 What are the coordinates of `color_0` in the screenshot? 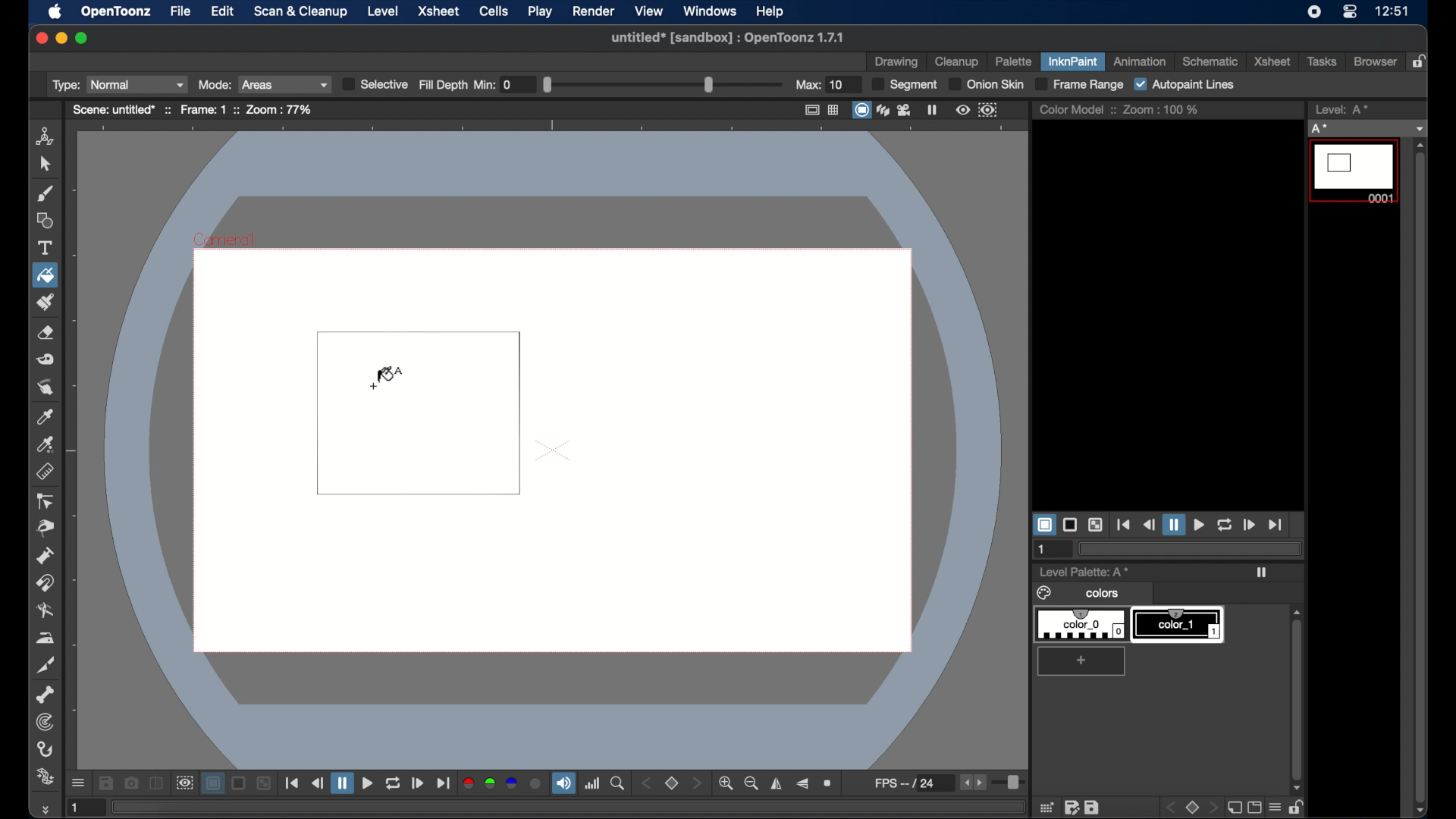 It's located at (1083, 625).